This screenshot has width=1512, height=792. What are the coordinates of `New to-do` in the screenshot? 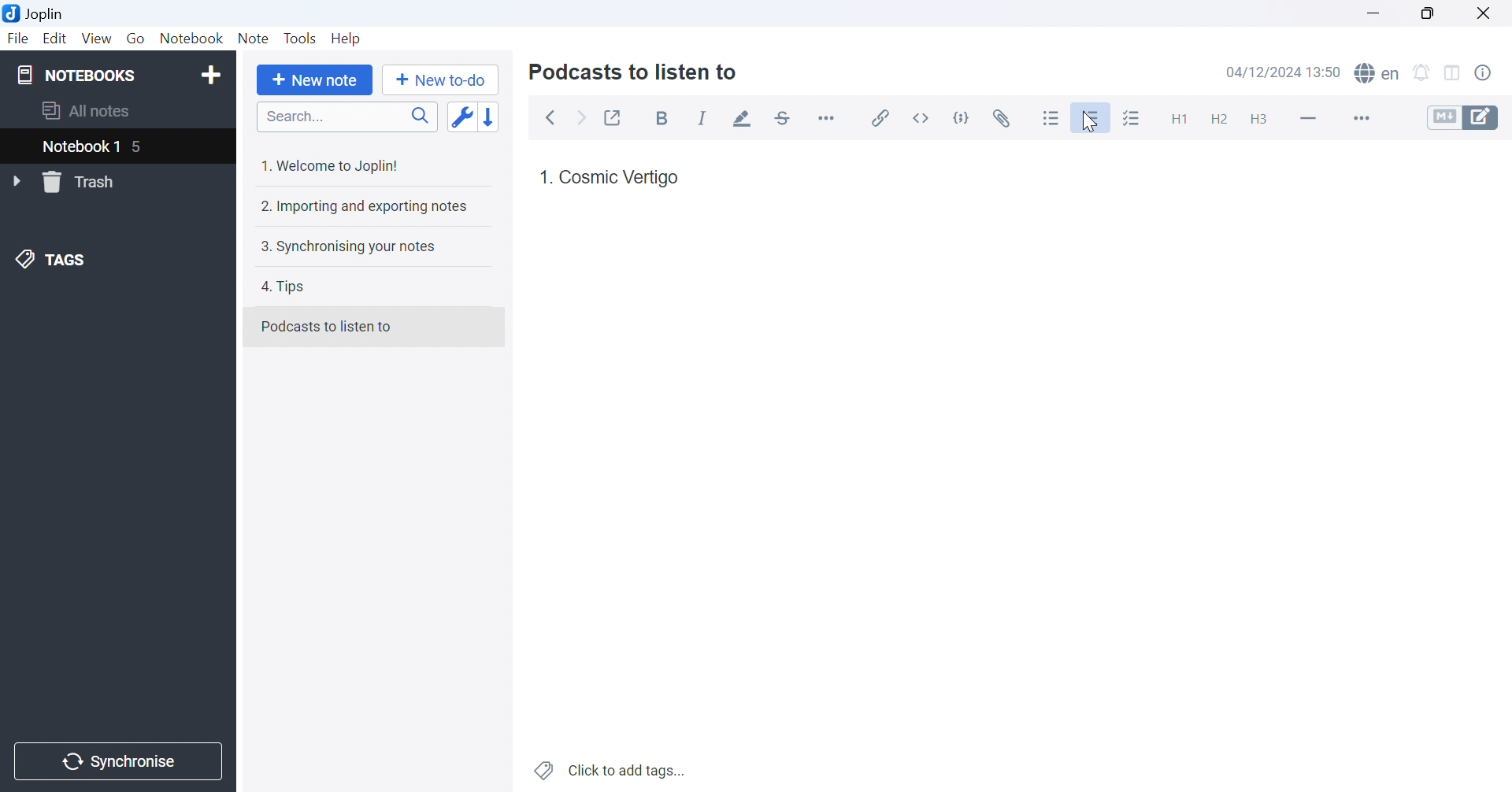 It's located at (445, 80).